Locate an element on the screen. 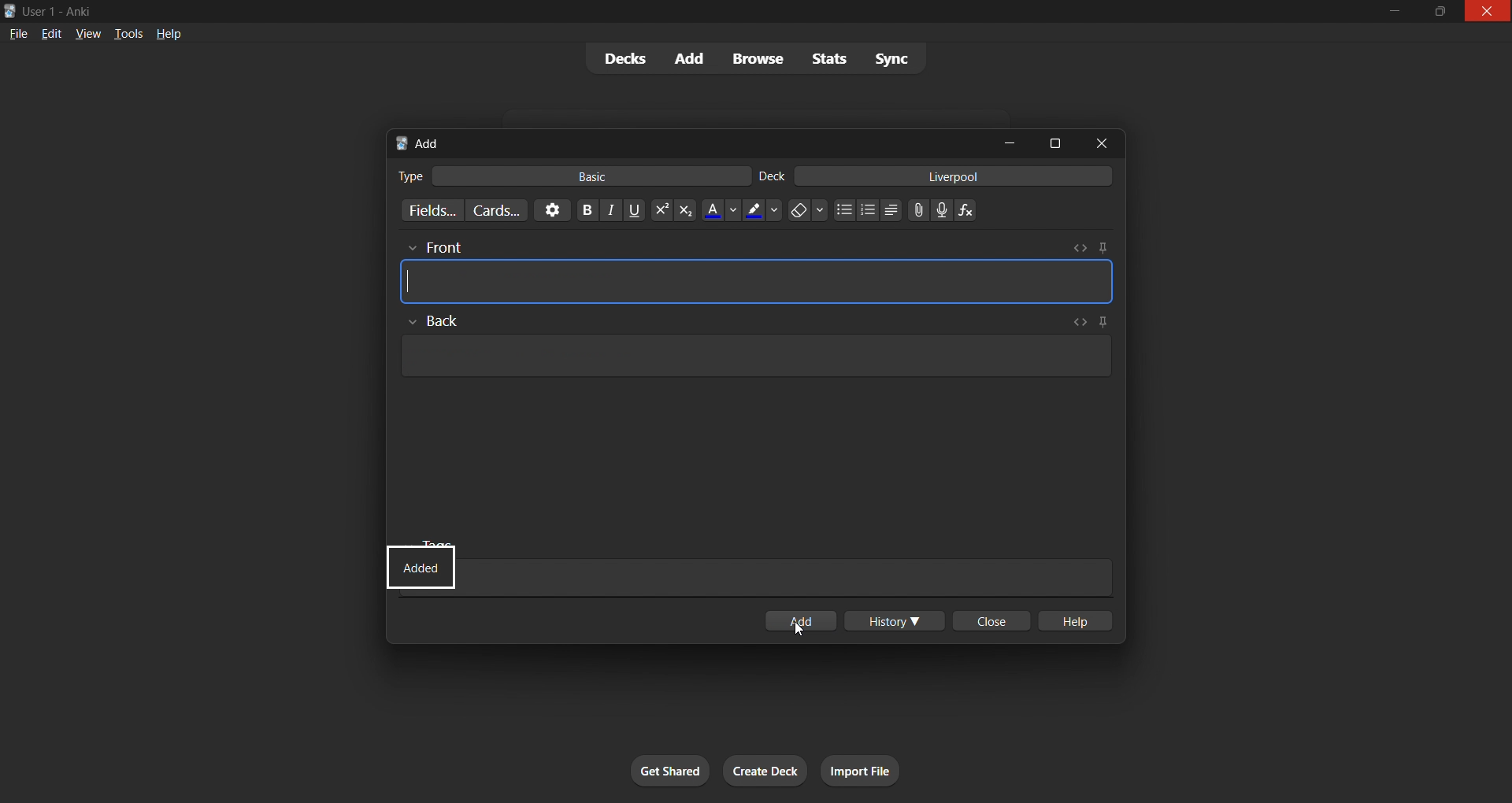  tab title is located at coordinates (686, 141).